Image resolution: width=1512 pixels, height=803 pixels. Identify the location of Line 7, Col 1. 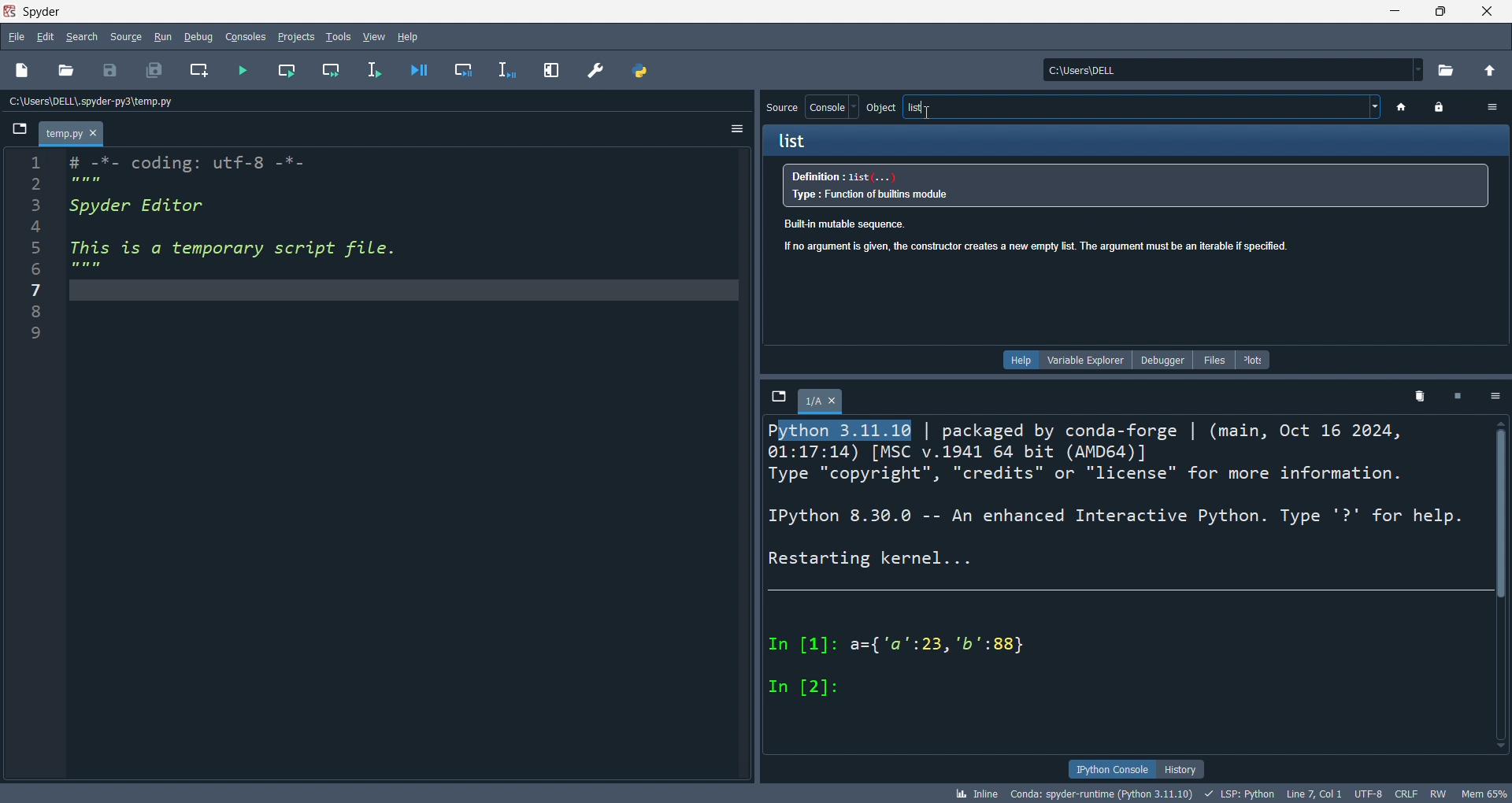
(1314, 793).